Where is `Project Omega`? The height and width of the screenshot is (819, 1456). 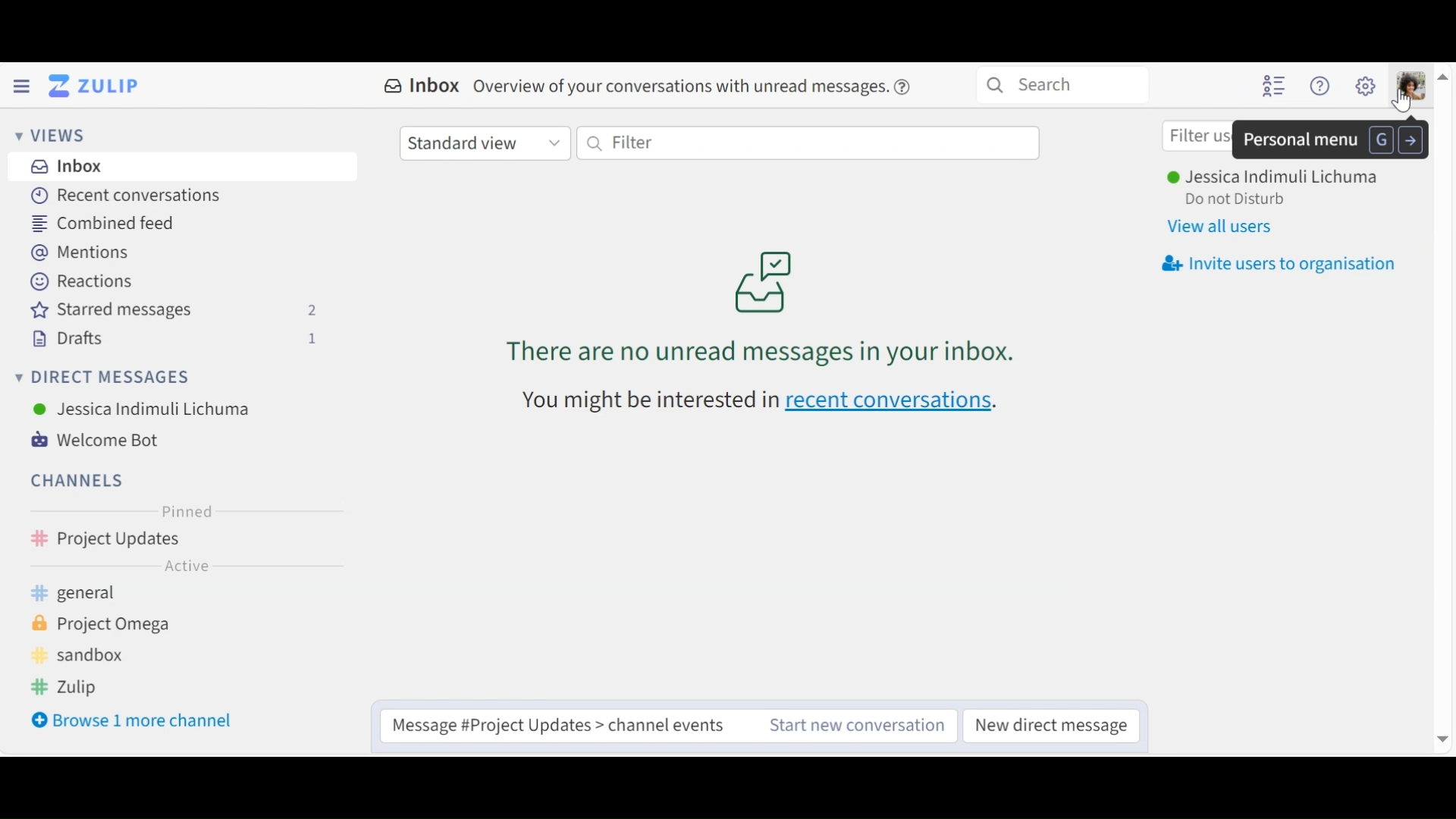 Project Omega is located at coordinates (114, 625).